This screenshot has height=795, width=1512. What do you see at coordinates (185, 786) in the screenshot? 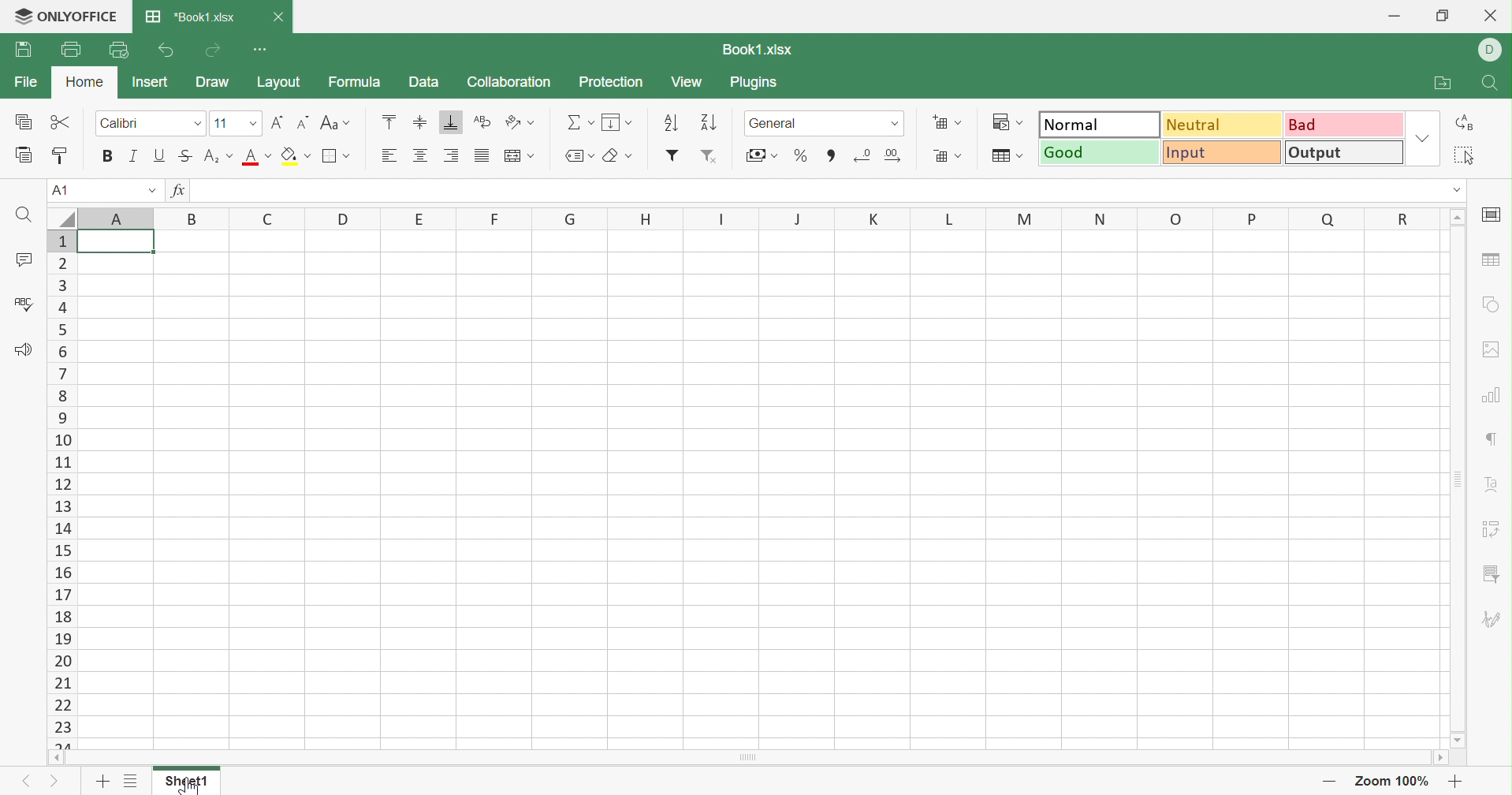
I see `cursor` at bounding box center [185, 786].